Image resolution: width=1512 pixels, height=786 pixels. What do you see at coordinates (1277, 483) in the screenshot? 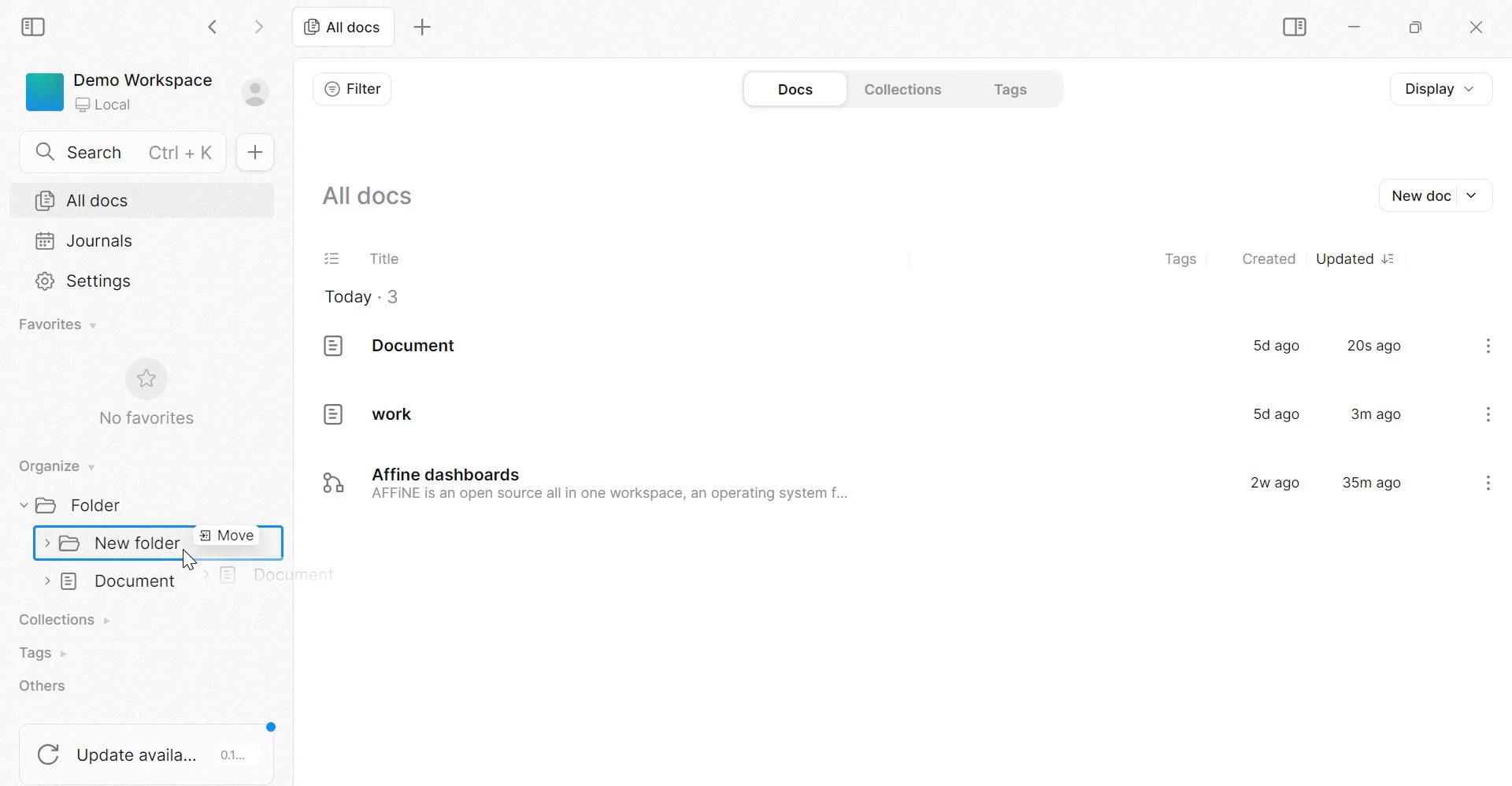
I see `2w ago` at bounding box center [1277, 483].